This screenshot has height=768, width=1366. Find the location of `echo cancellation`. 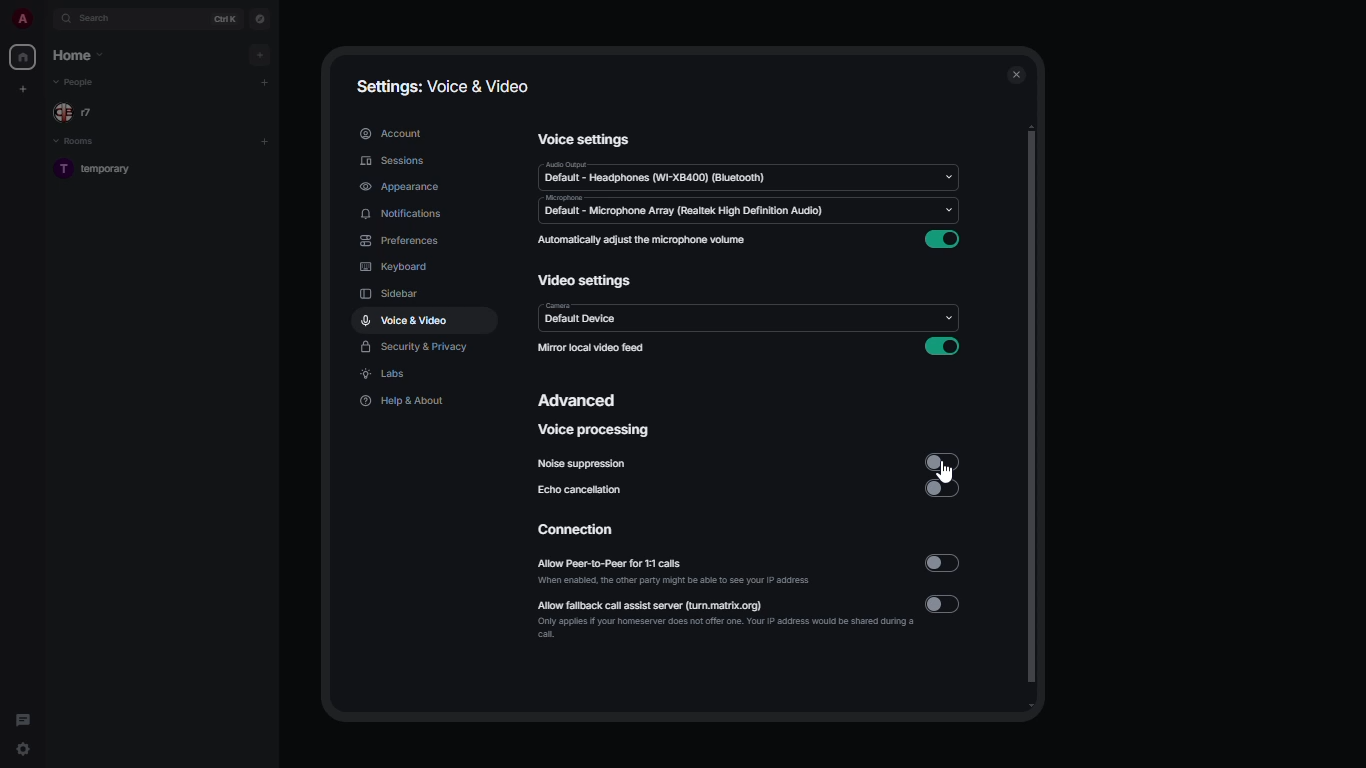

echo cancellation is located at coordinates (581, 491).